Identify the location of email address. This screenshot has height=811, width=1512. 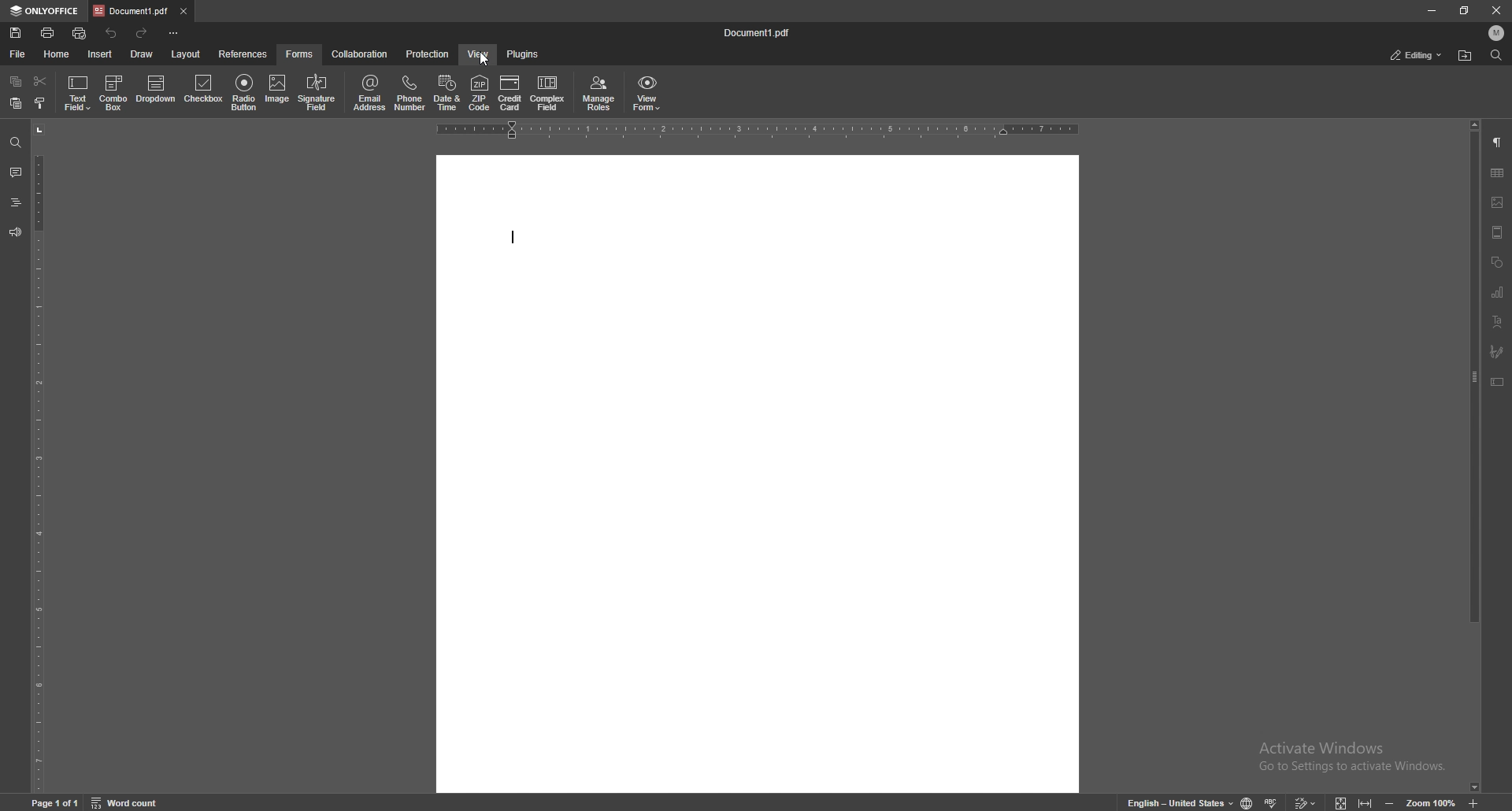
(370, 93).